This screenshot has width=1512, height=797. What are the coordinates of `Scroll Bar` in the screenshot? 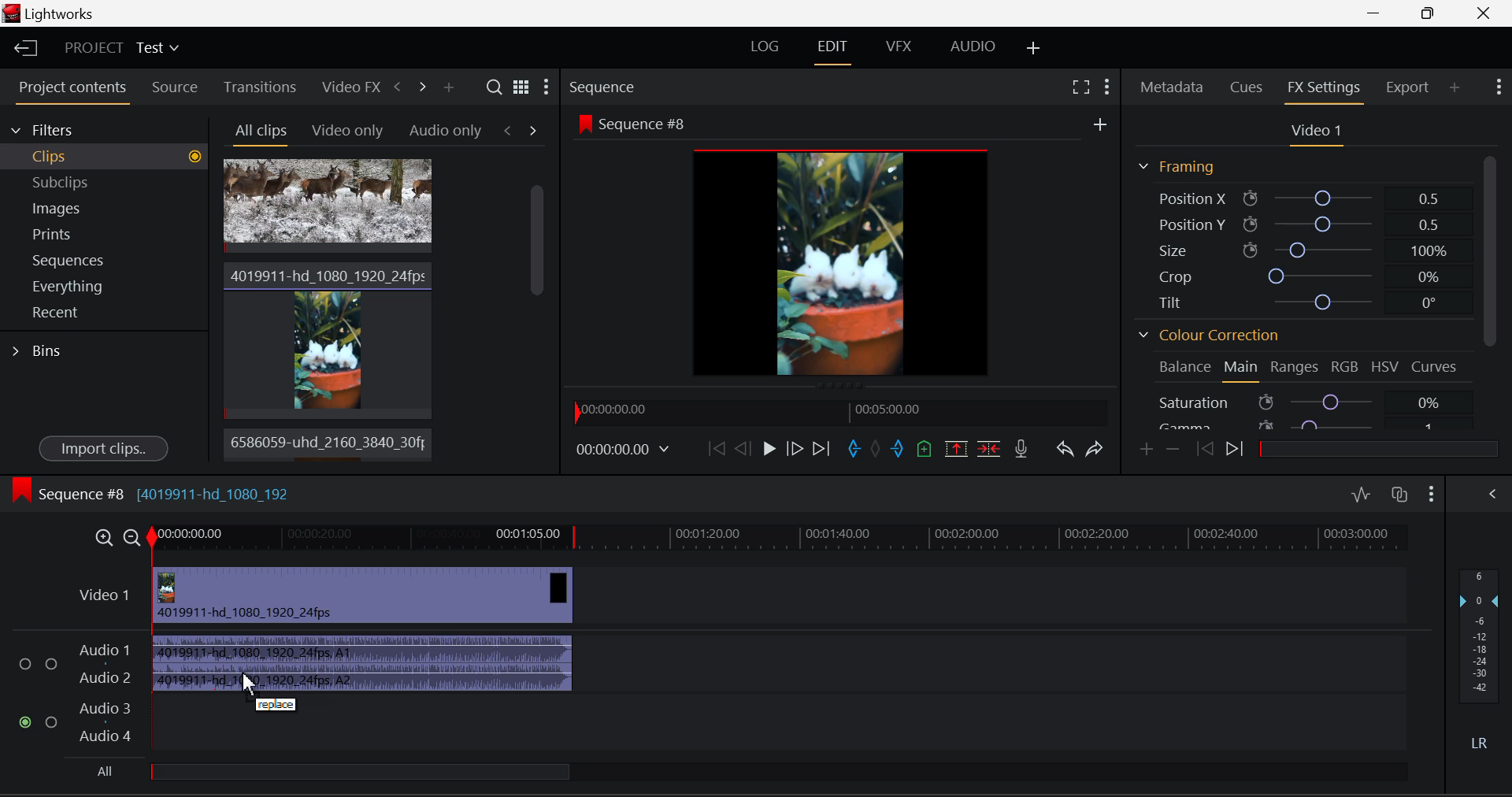 It's located at (1492, 287).